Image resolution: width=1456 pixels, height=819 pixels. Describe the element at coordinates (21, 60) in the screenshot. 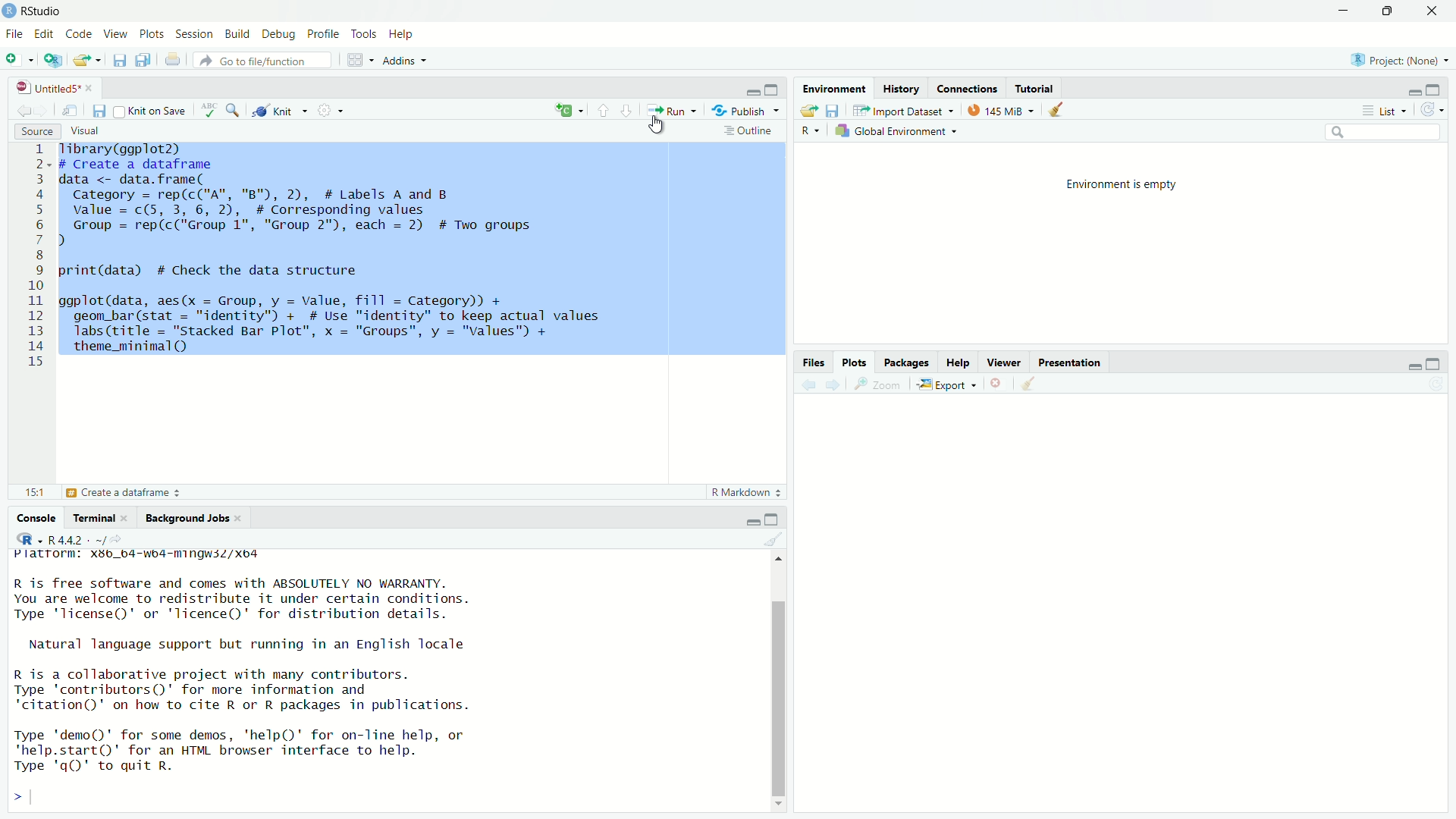

I see `New File` at that location.